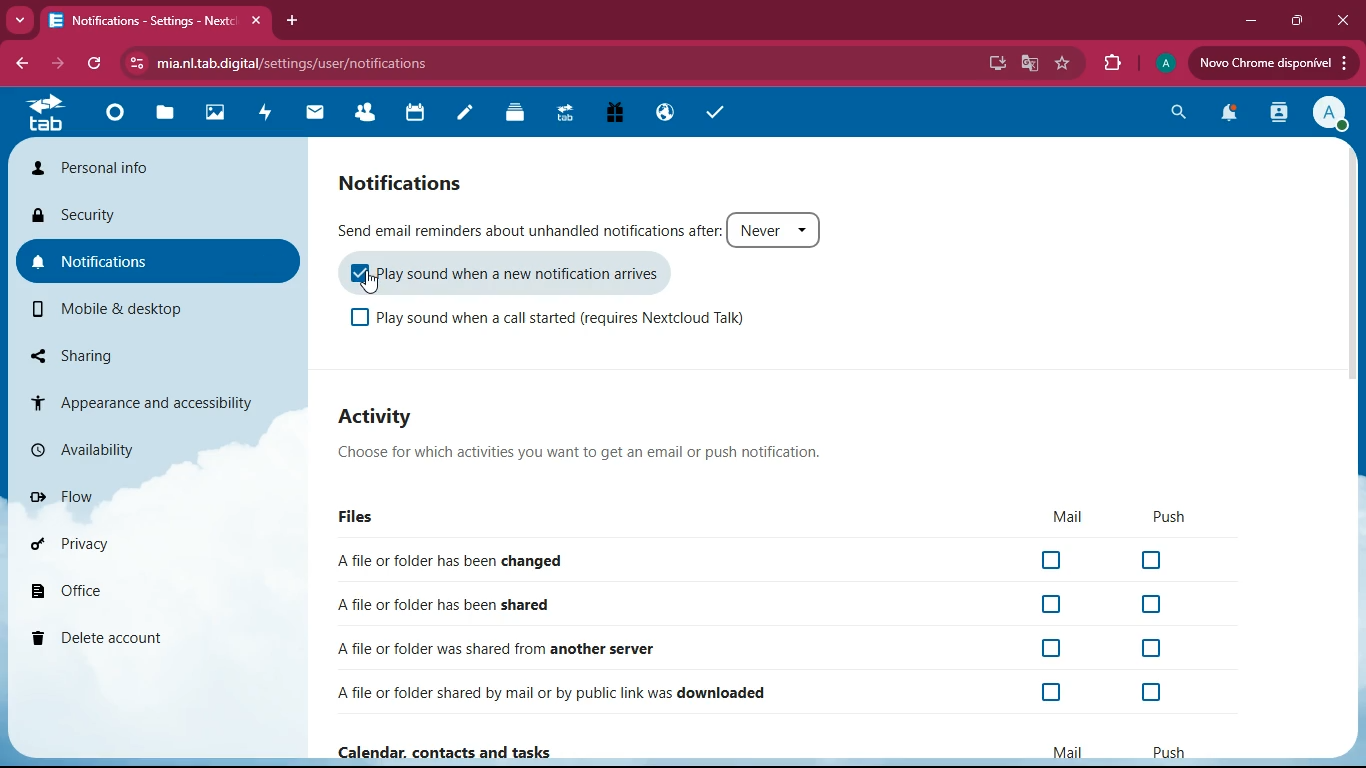 The width and height of the screenshot is (1366, 768). I want to click on tasks, so click(707, 112).